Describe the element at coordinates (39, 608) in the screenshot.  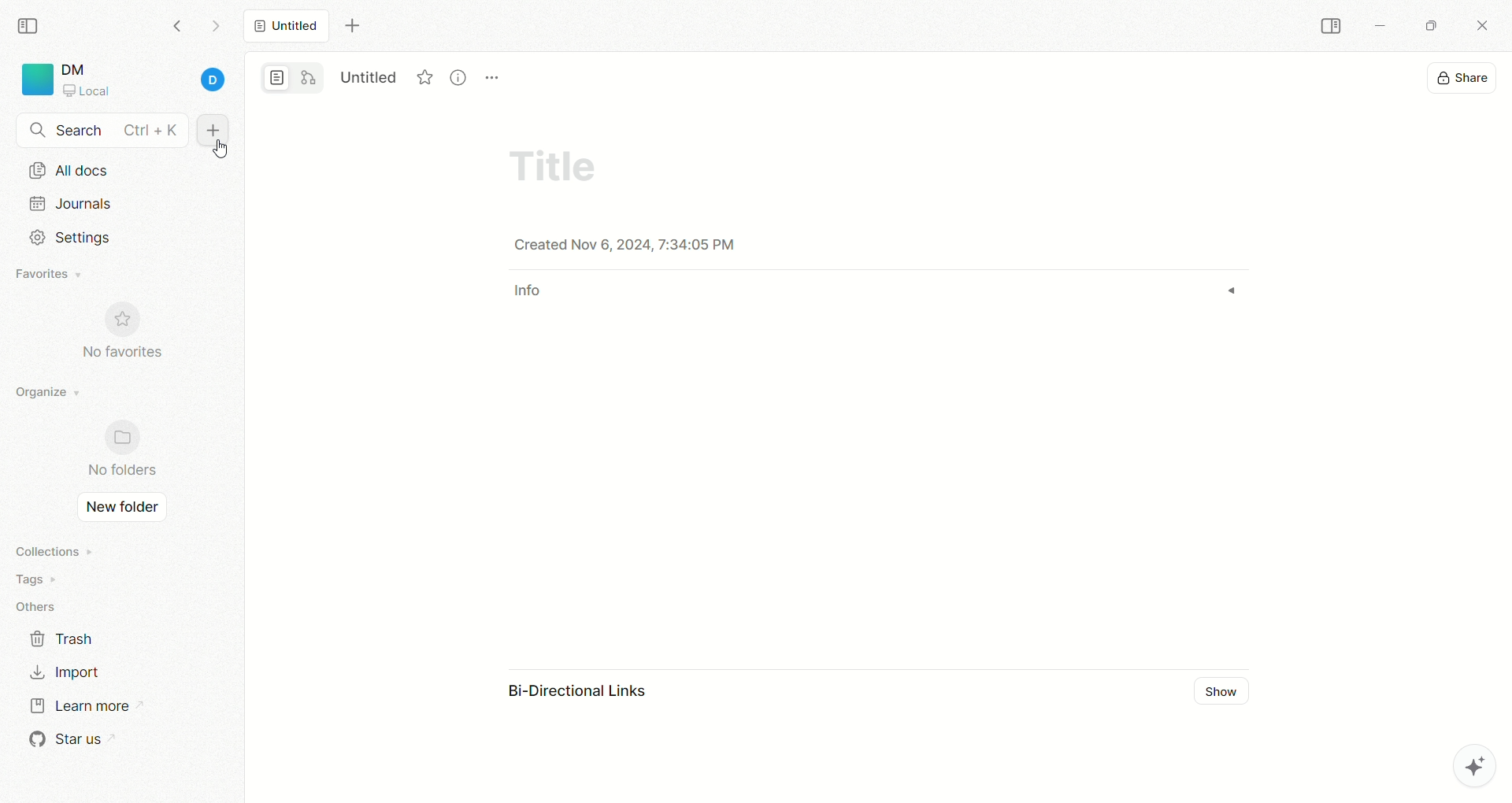
I see `others` at that location.